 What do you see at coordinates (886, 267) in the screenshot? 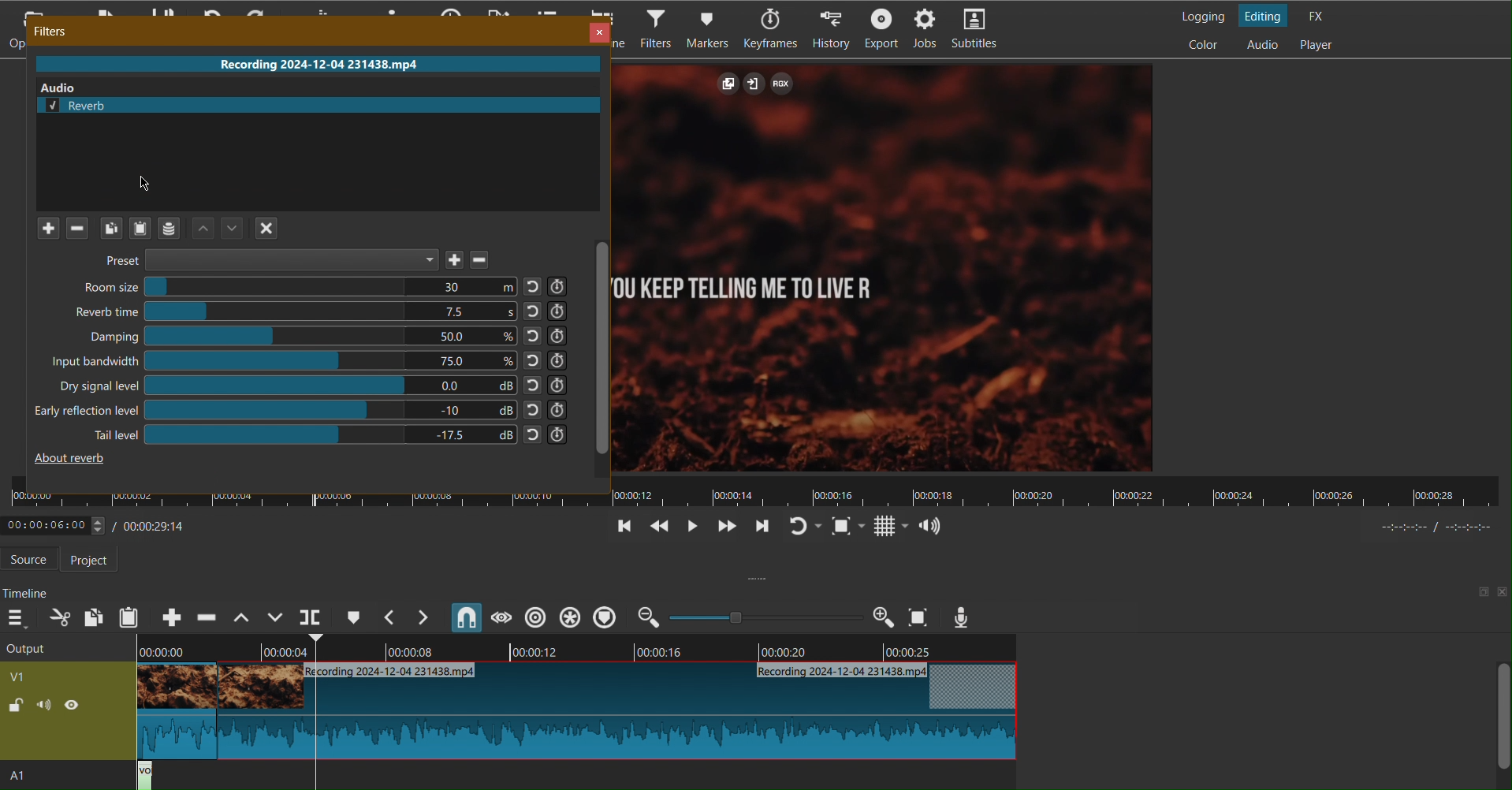
I see `Clip View` at bounding box center [886, 267].